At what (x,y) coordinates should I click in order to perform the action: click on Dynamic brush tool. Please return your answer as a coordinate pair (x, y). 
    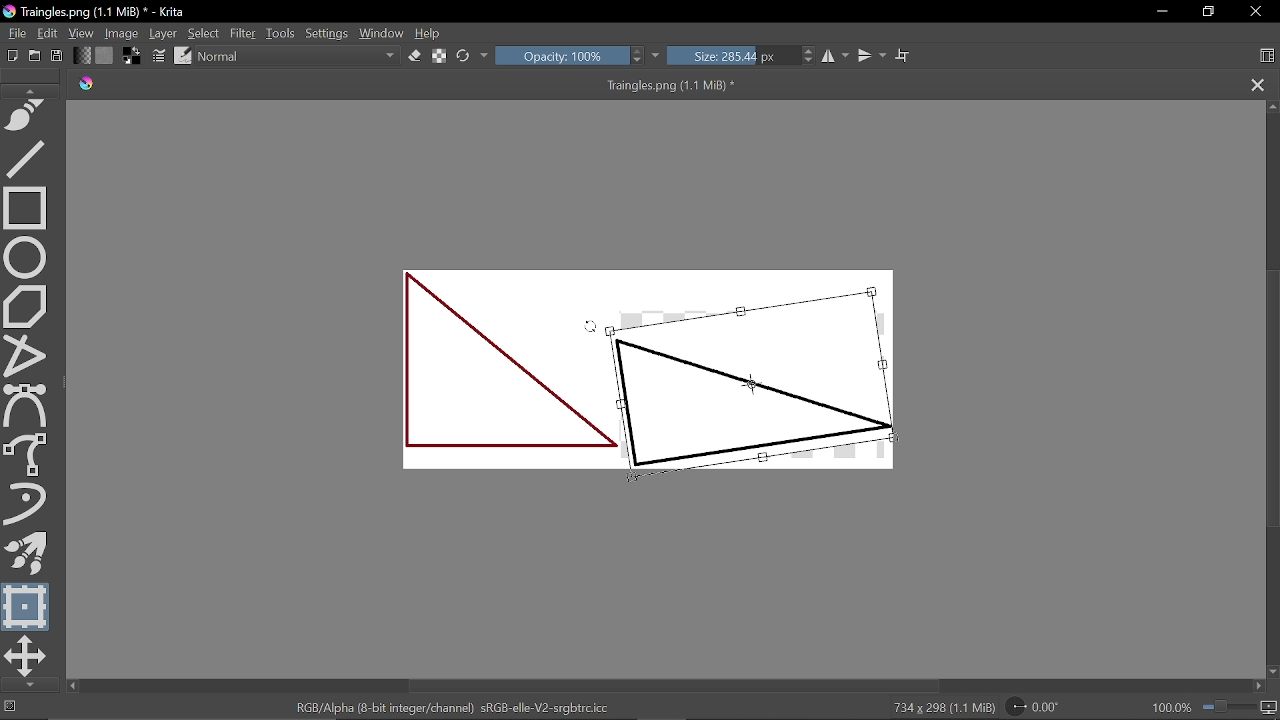
    Looking at the image, I should click on (31, 505).